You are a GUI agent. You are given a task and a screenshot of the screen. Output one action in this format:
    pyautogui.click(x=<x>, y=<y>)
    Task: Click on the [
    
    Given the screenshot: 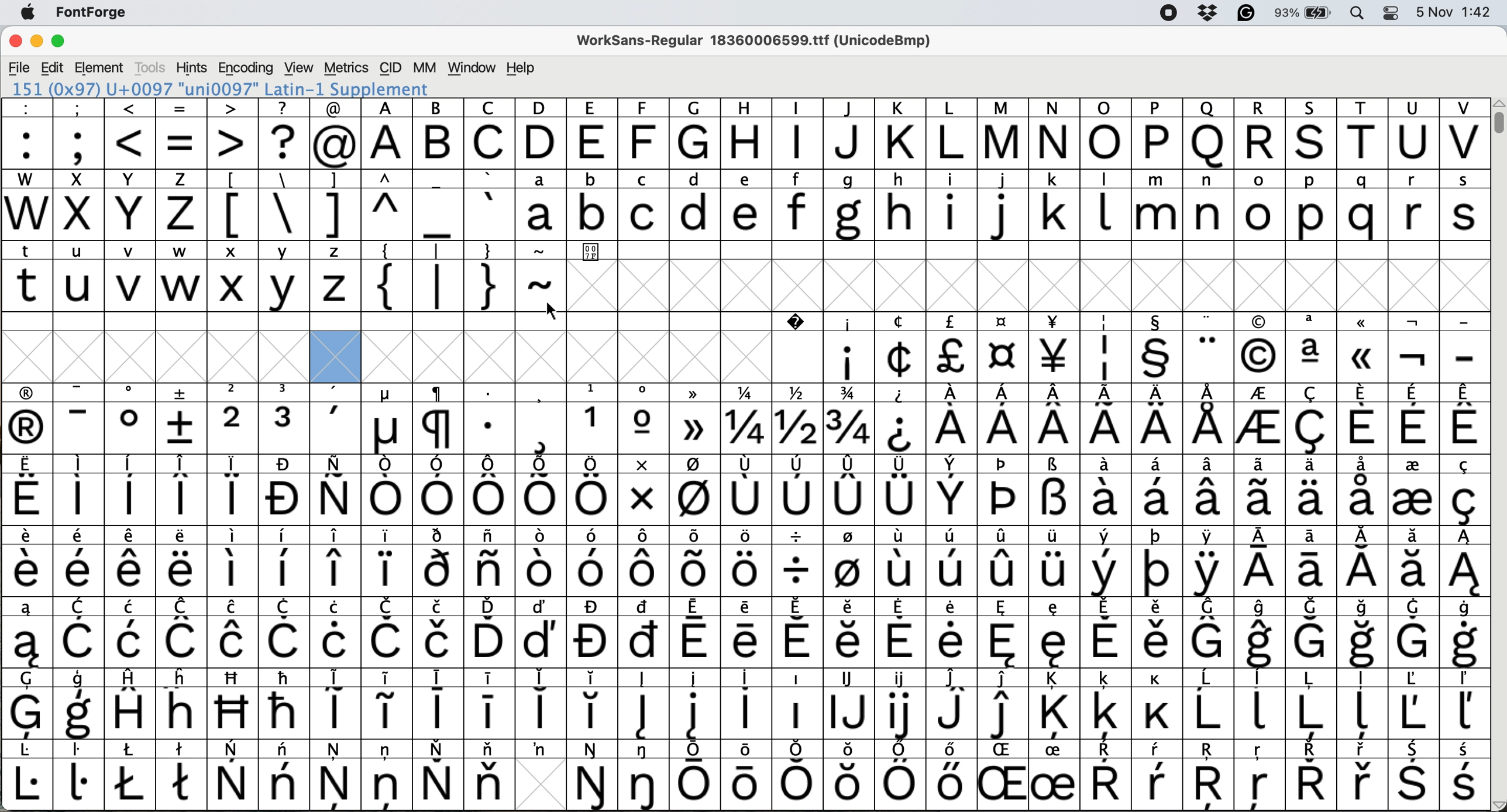 What is the action you would take?
    pyautogui.click(x=233, y=205)
    